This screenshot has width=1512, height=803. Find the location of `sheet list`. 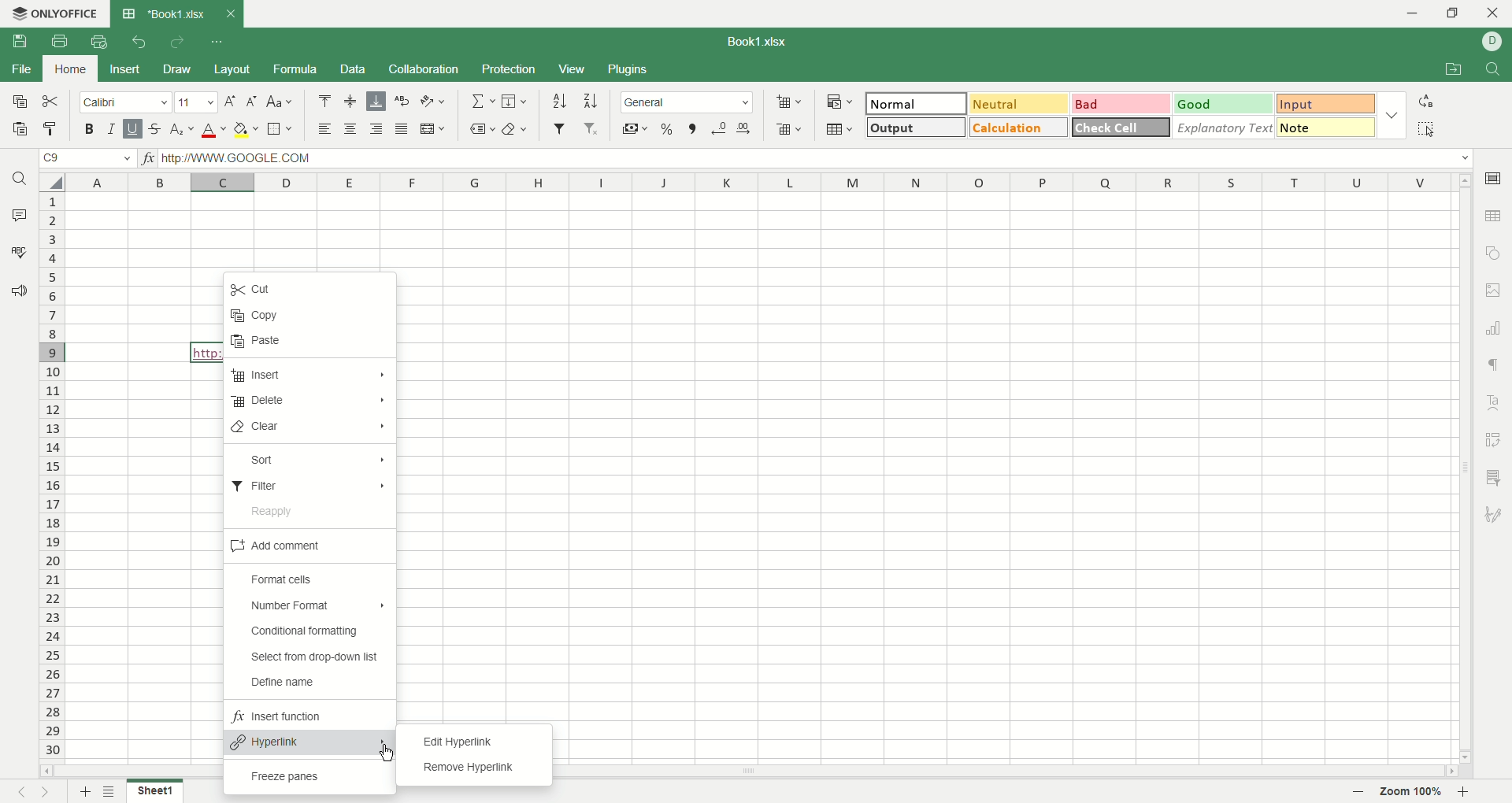

sheet list is located at coordinates (114, 793).